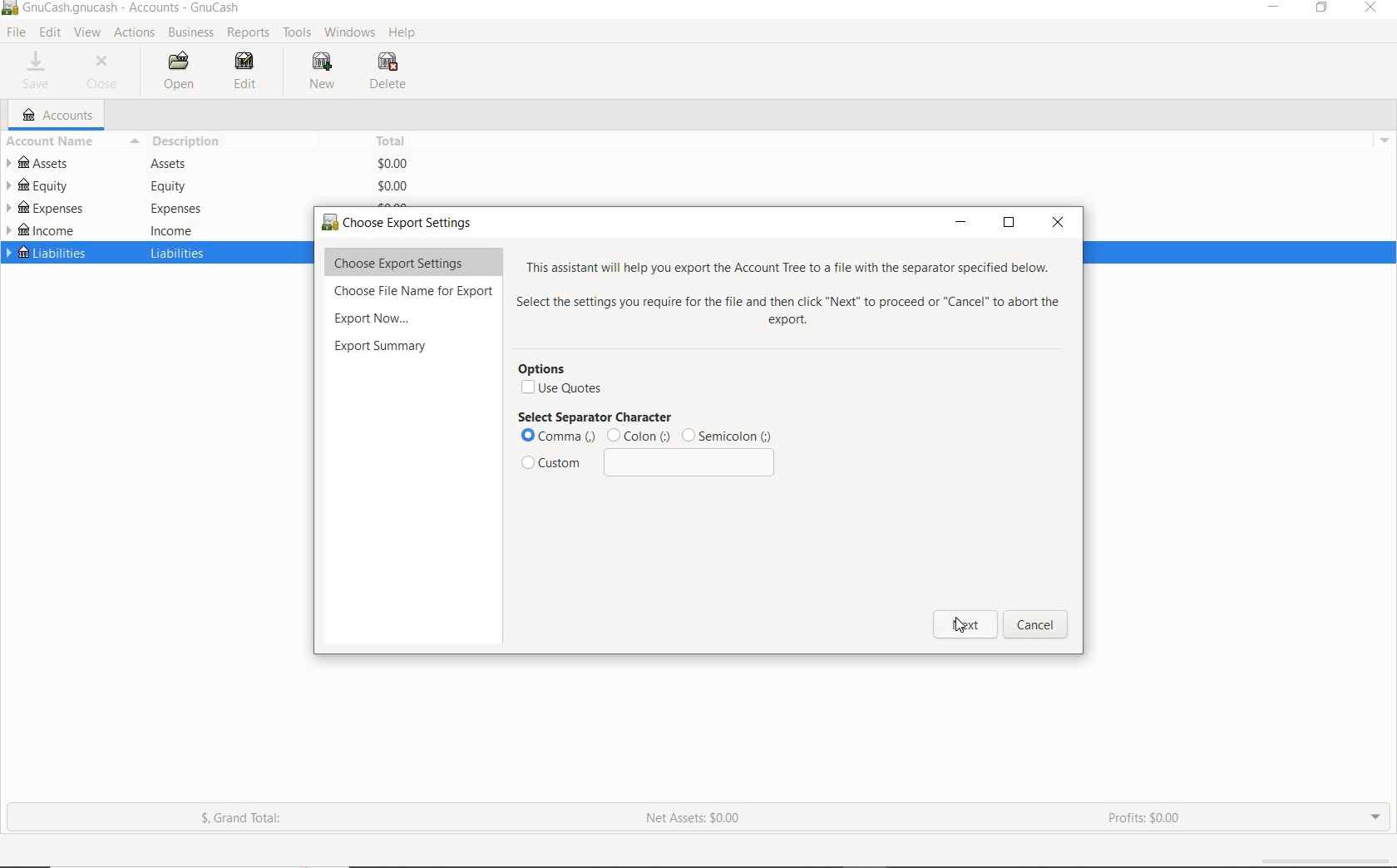 This screenshot has height=868, width=1397. What do you see at coordinates (45, 207) in the screenshot?
I see `EXPENSES` at bounding box center [45, 207].